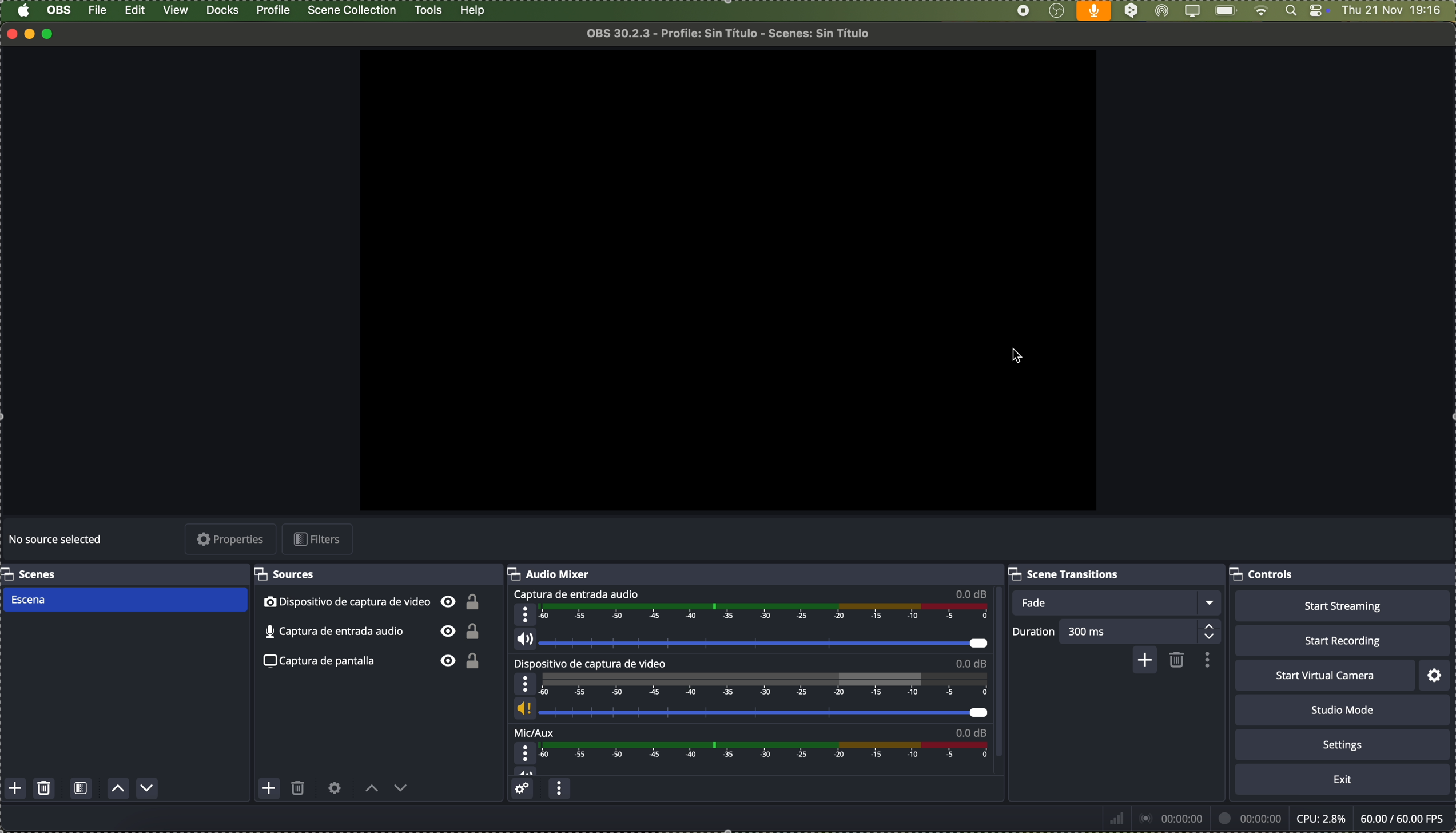 The width and height of the screenshot is (1456, 833). I want to click on stop recording, so click(1023, 11).